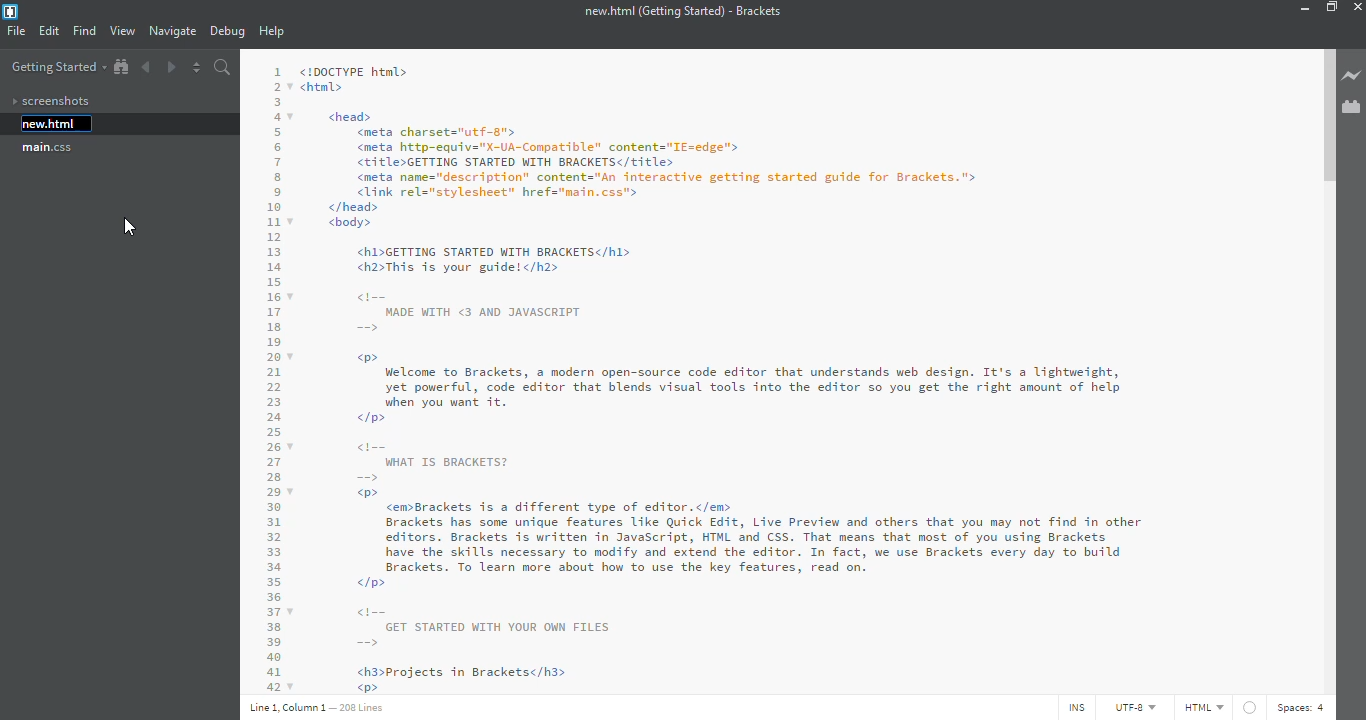 Image resolution: width=1366 pixels, height=720 pixels. Describe the element at coordinates (50, 101) in the screenshot. I see `screenshots` at that location.